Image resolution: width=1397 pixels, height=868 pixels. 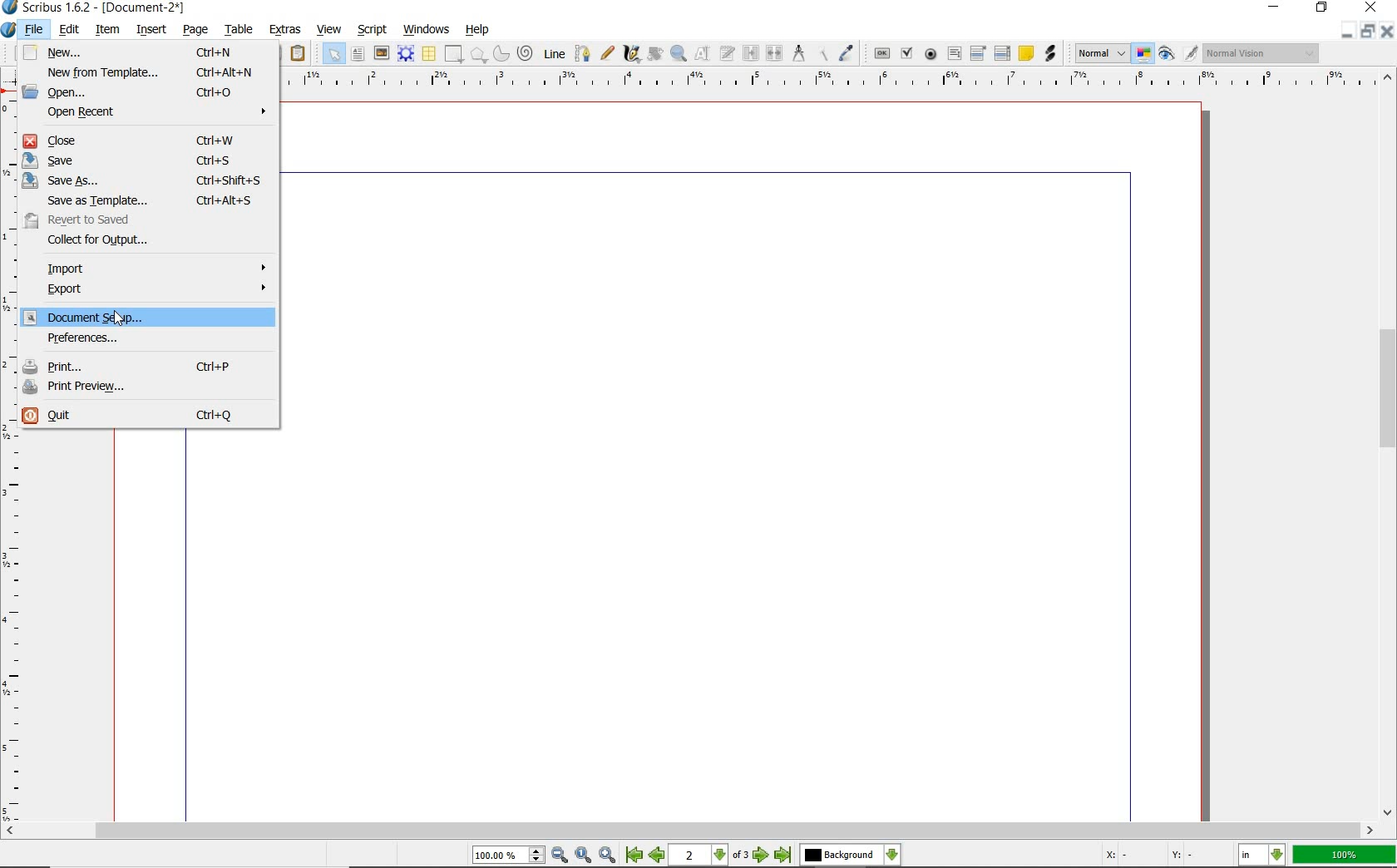 What do you see at coordinates (608, 54) in the screenshot?
I see `freehand line` at bounding box center [608, 54].